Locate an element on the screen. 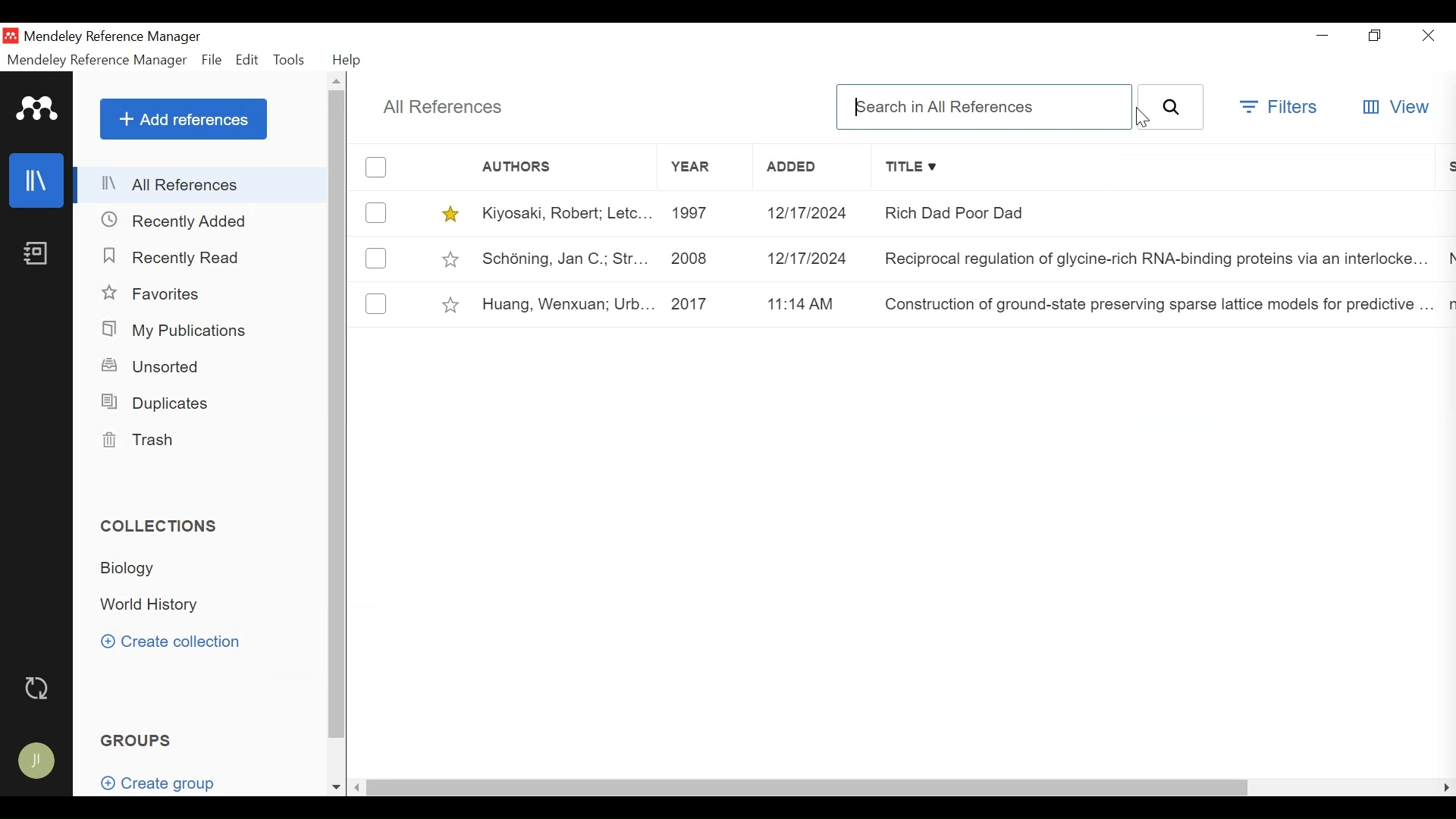 This screenshot has height=819, width=1456. Collection is located at coordinates (157, 605).